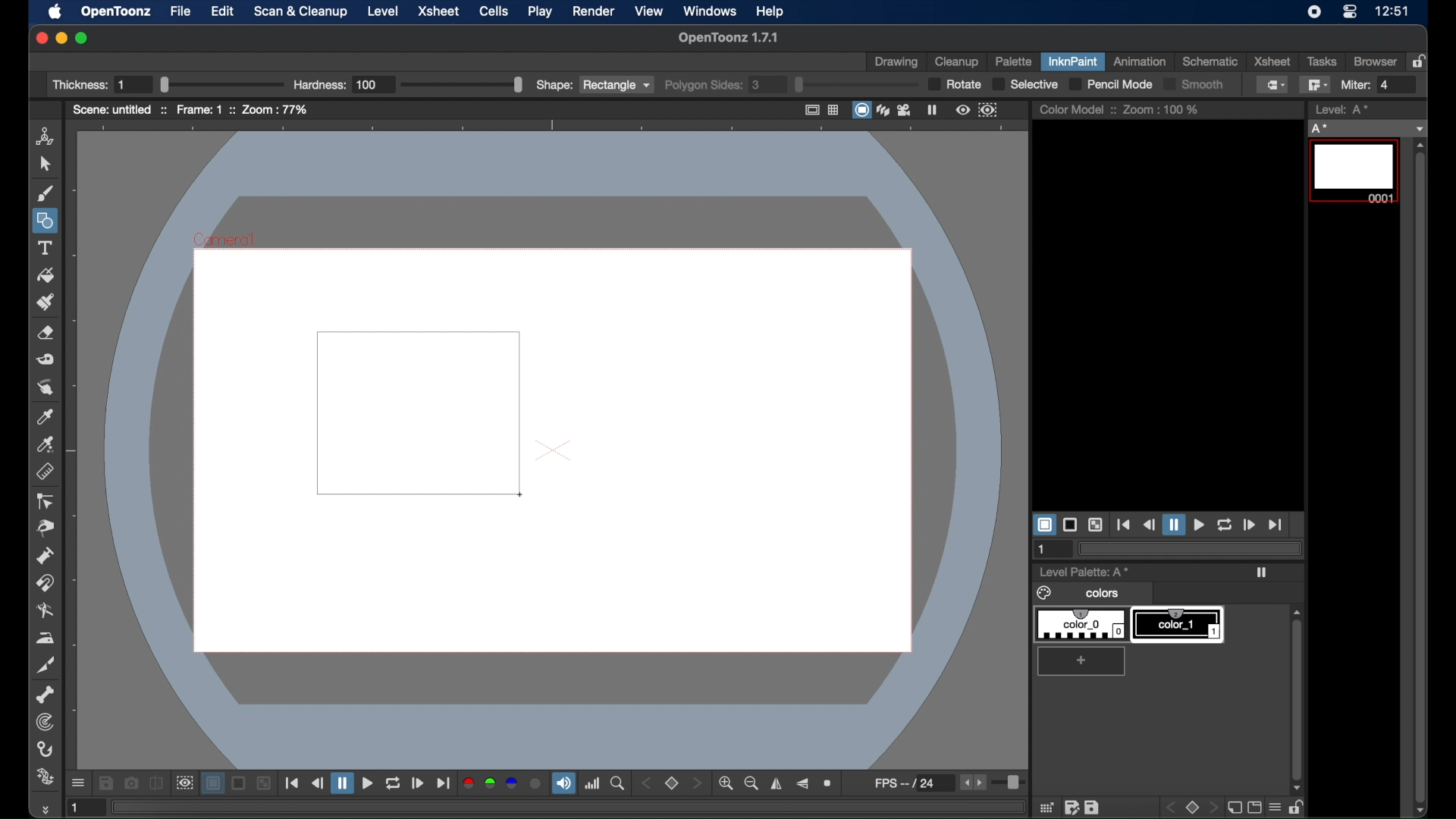  I want to click on shapes, so click(46, 221).